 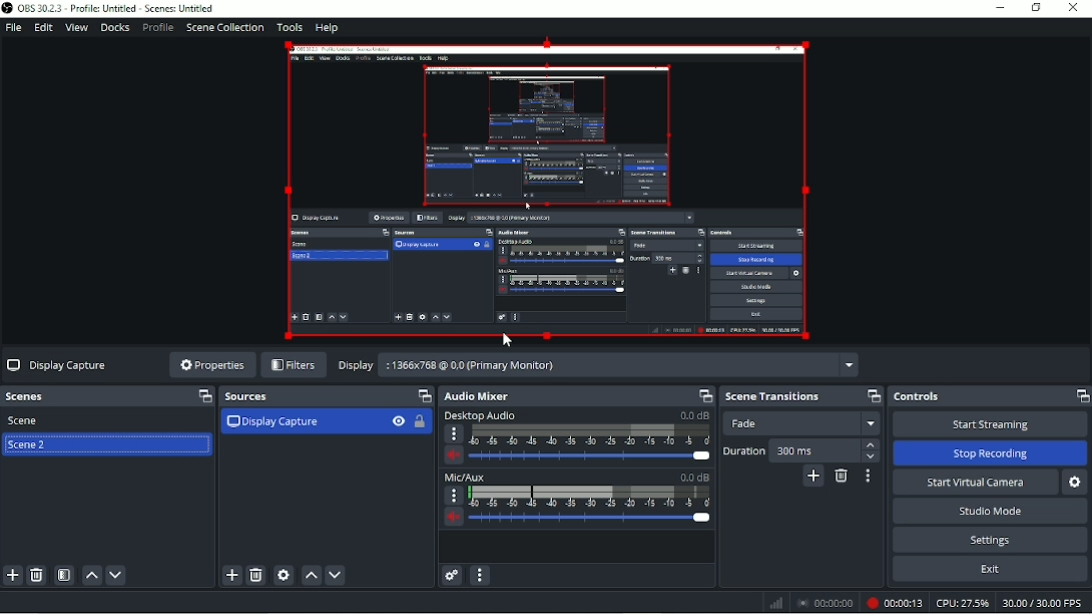 I want to click on Advanced audio properties, so click(x=452, y=576).